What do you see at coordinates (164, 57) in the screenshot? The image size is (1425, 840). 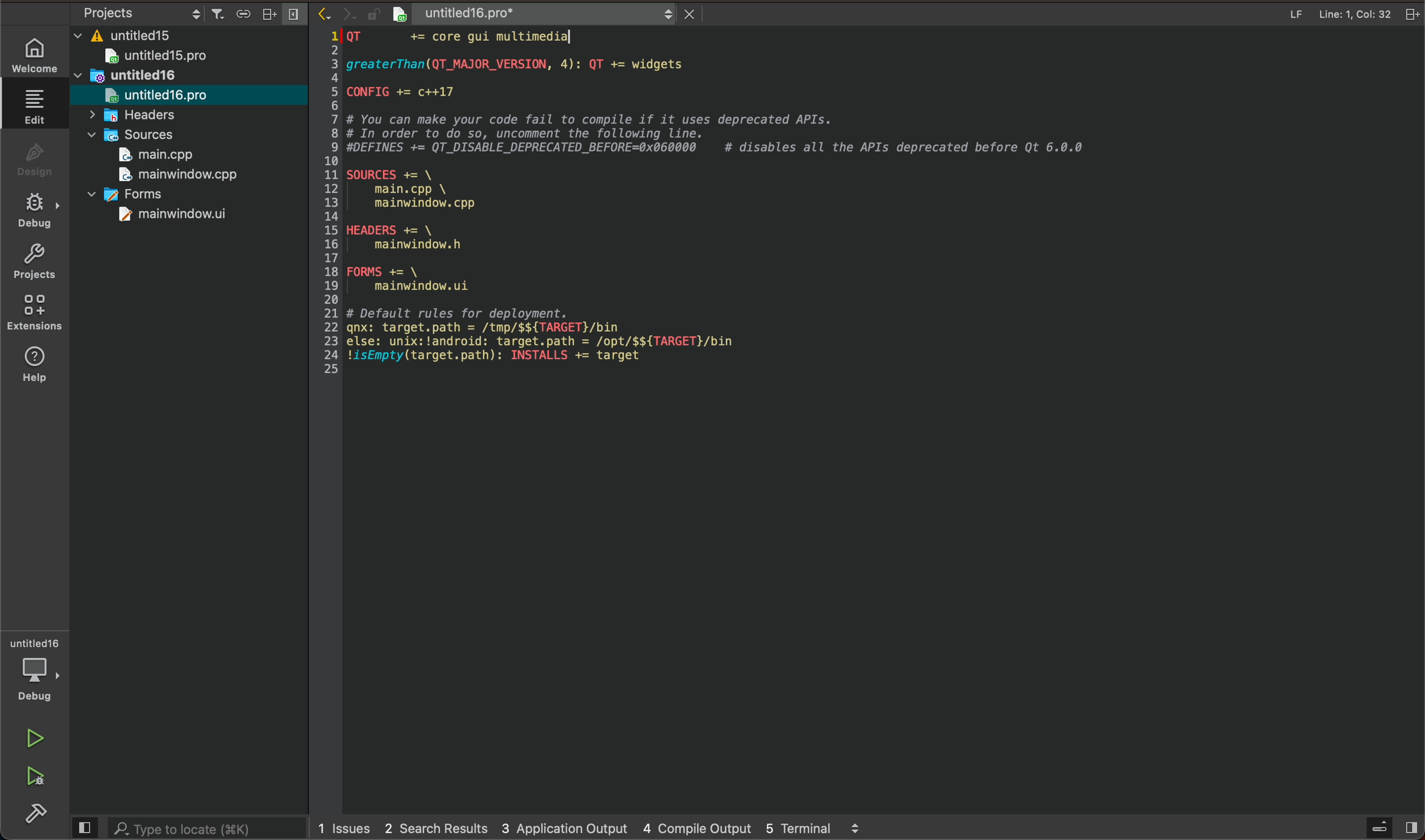 I see `untitled15pro` at bounding box center [164, 57].